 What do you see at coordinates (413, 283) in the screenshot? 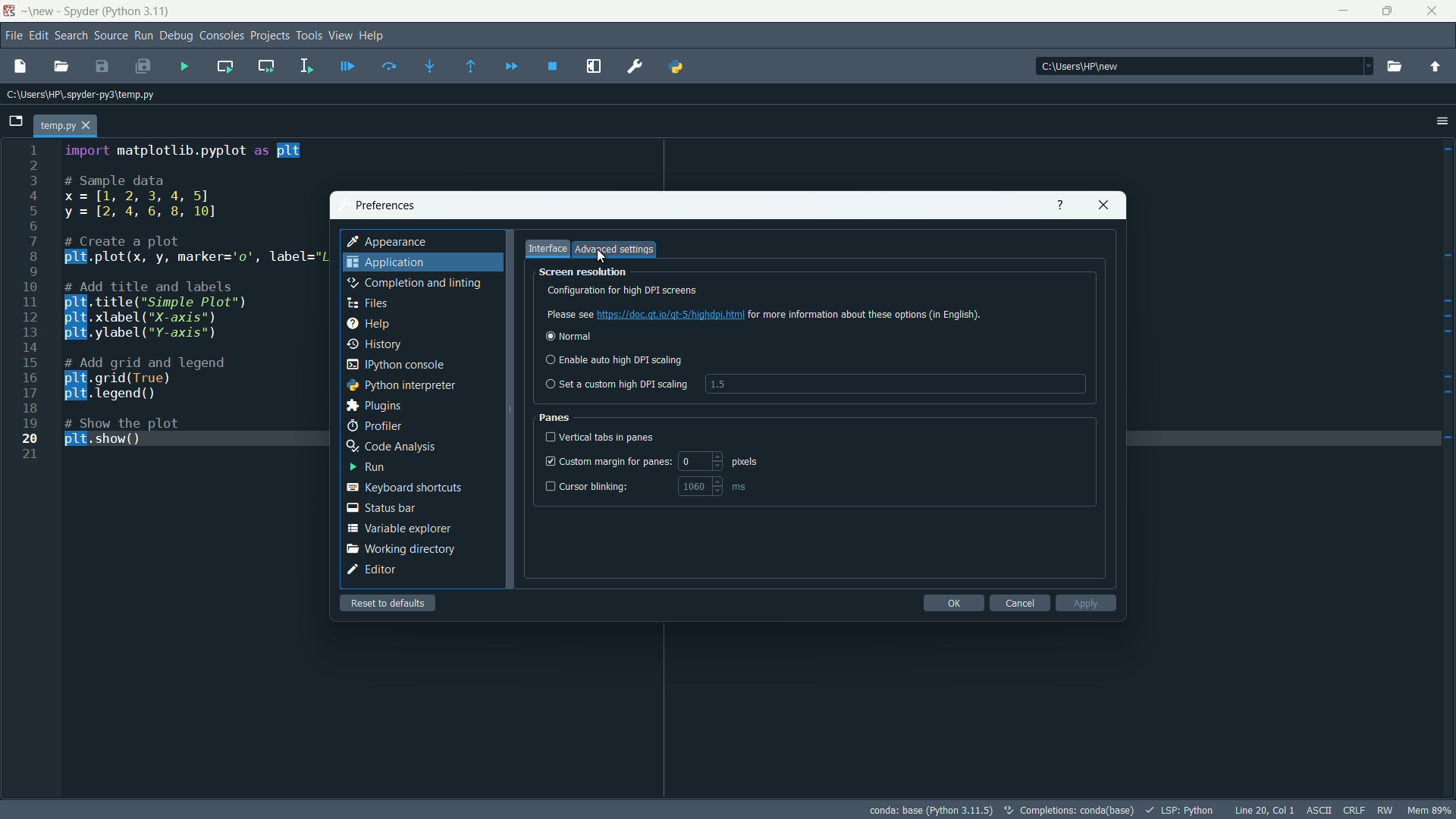
I see `completion and linting` at bounding box center [413, 283].